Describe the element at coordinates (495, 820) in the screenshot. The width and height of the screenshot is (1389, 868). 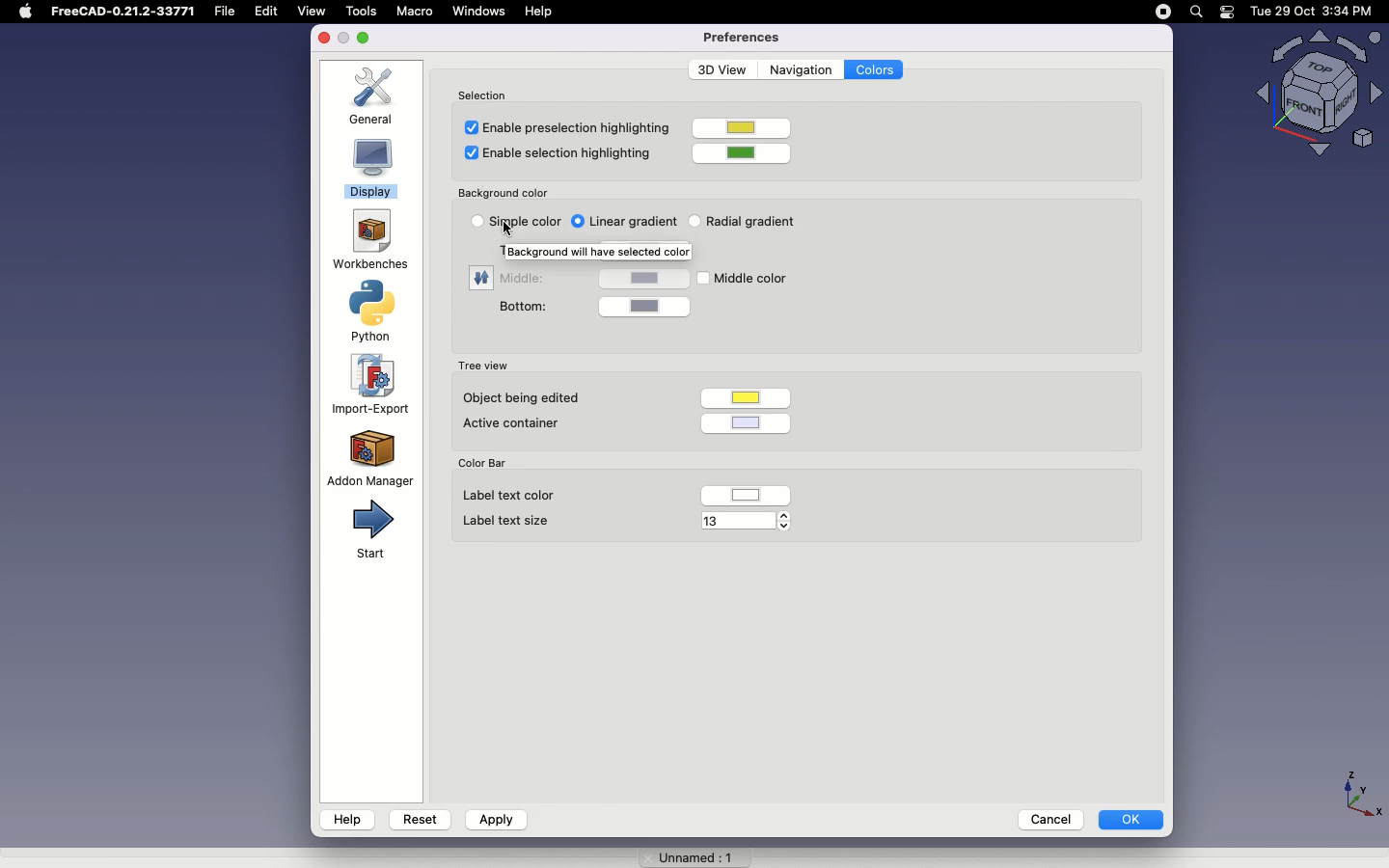
I see `Apply` at that location.